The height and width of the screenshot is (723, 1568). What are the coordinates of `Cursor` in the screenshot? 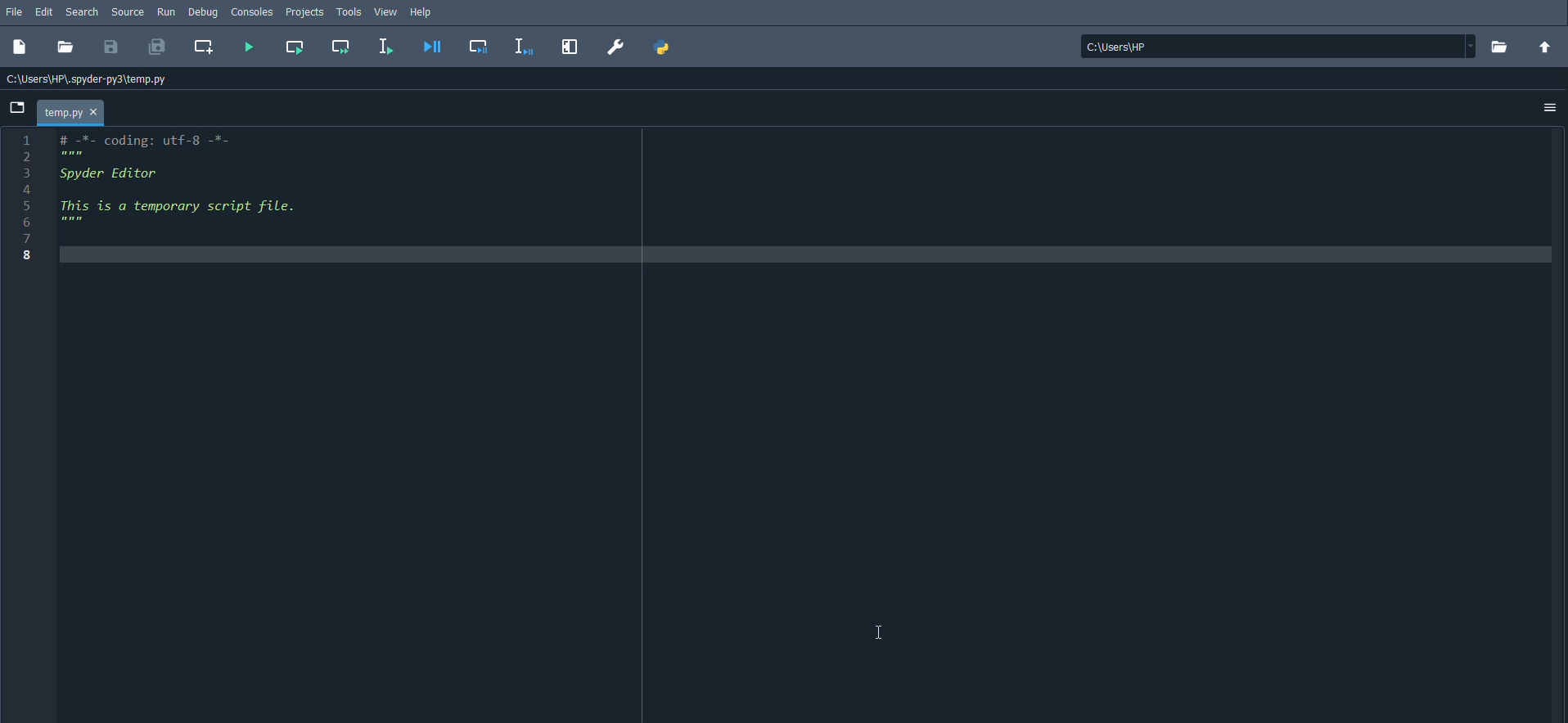 It's located at (879, 630).